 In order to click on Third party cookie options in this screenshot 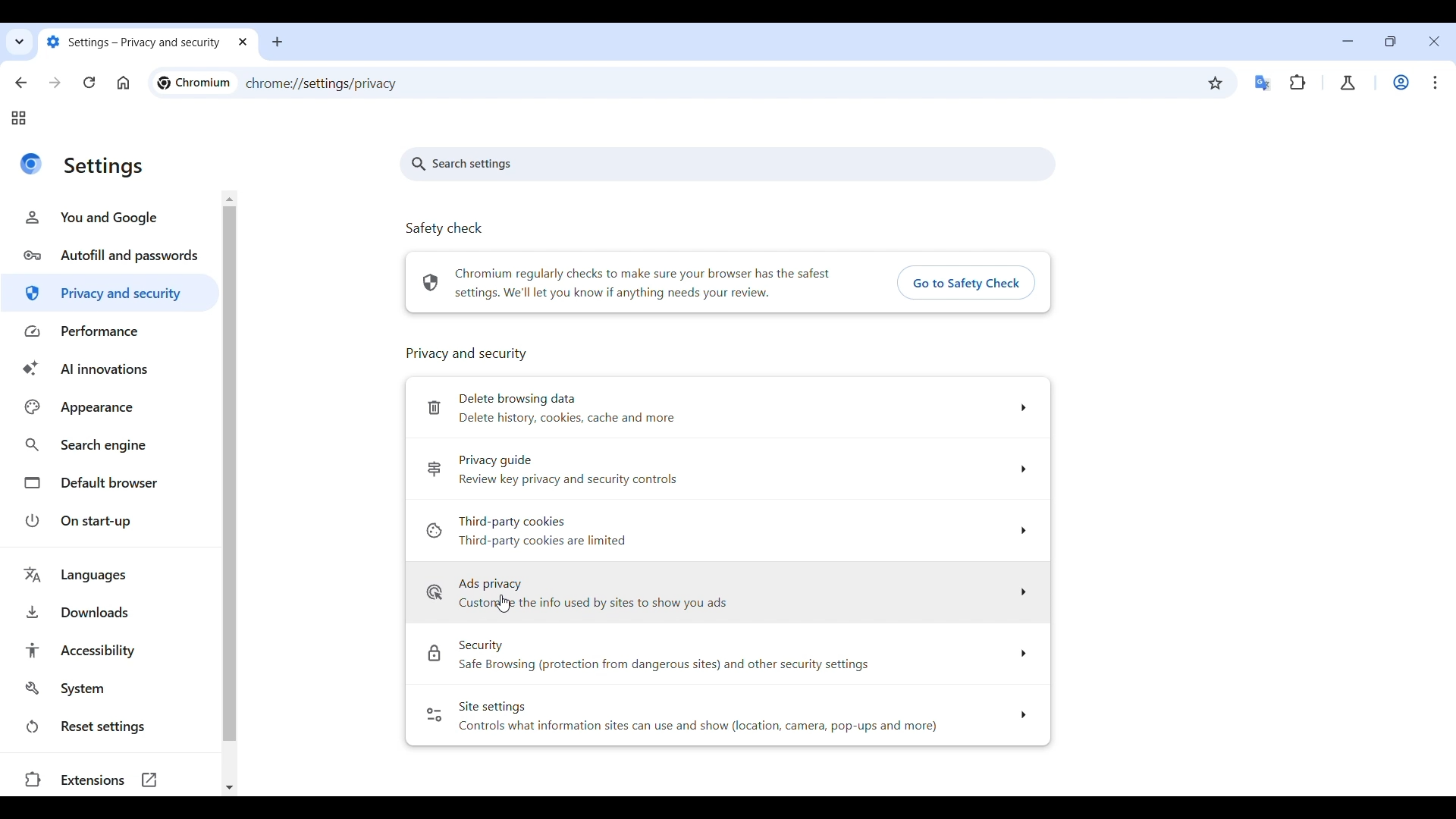, I will do `click(727, 531)`.